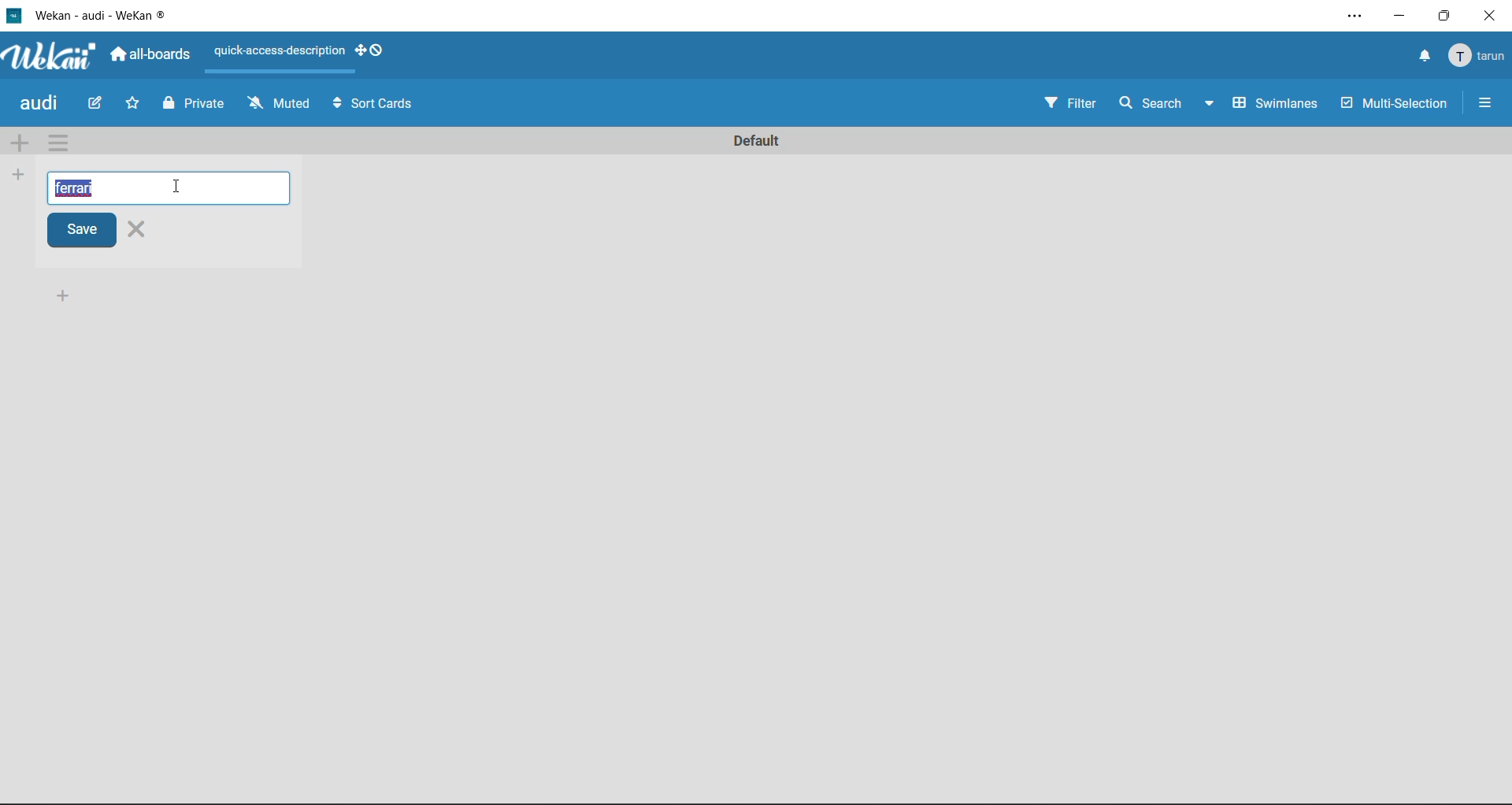 This screenshot has height=805, width=1512. What do you see at coordinates (387, 106) in the screenshot?
I see `$ Sort Cards` at bounding box center [387, 106].